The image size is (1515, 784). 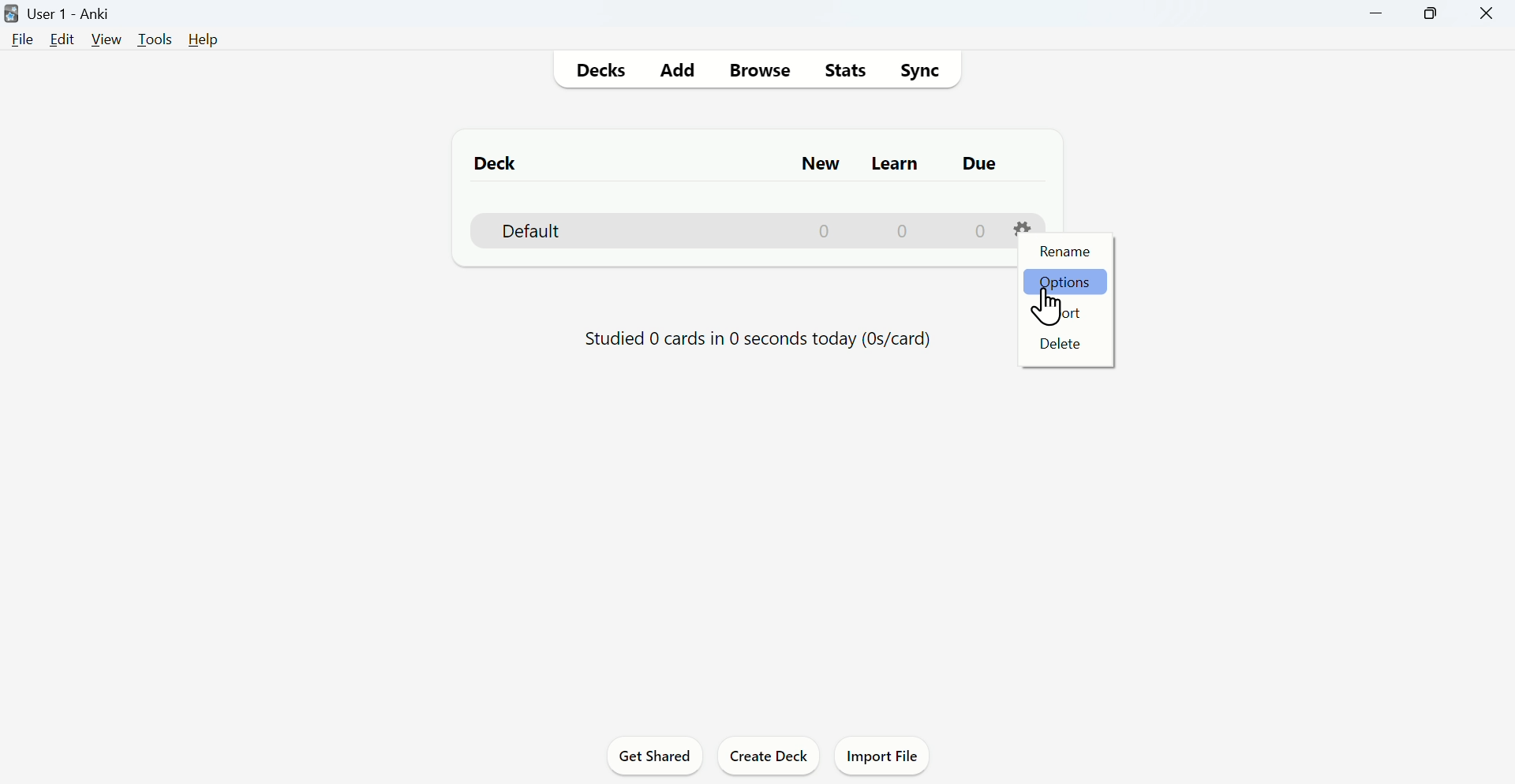 What do you see at coordinates (1430, 14) in the screenshot?
I see `Maximize` at bounding box center [1430, 14].